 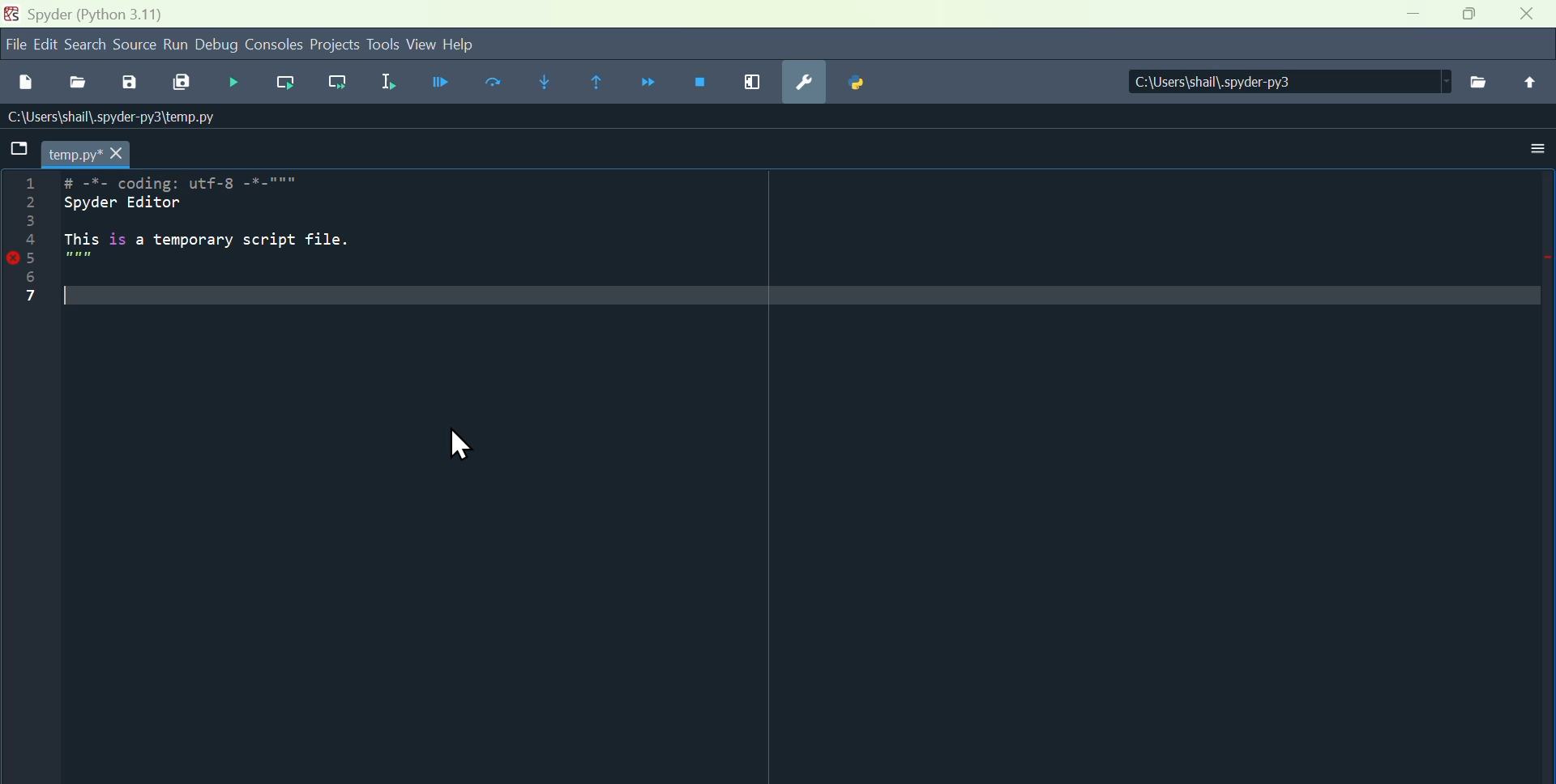 What do you see at coordinates (471, 46) in the screenshot?
I see `help` at bounding box center [471, 46].